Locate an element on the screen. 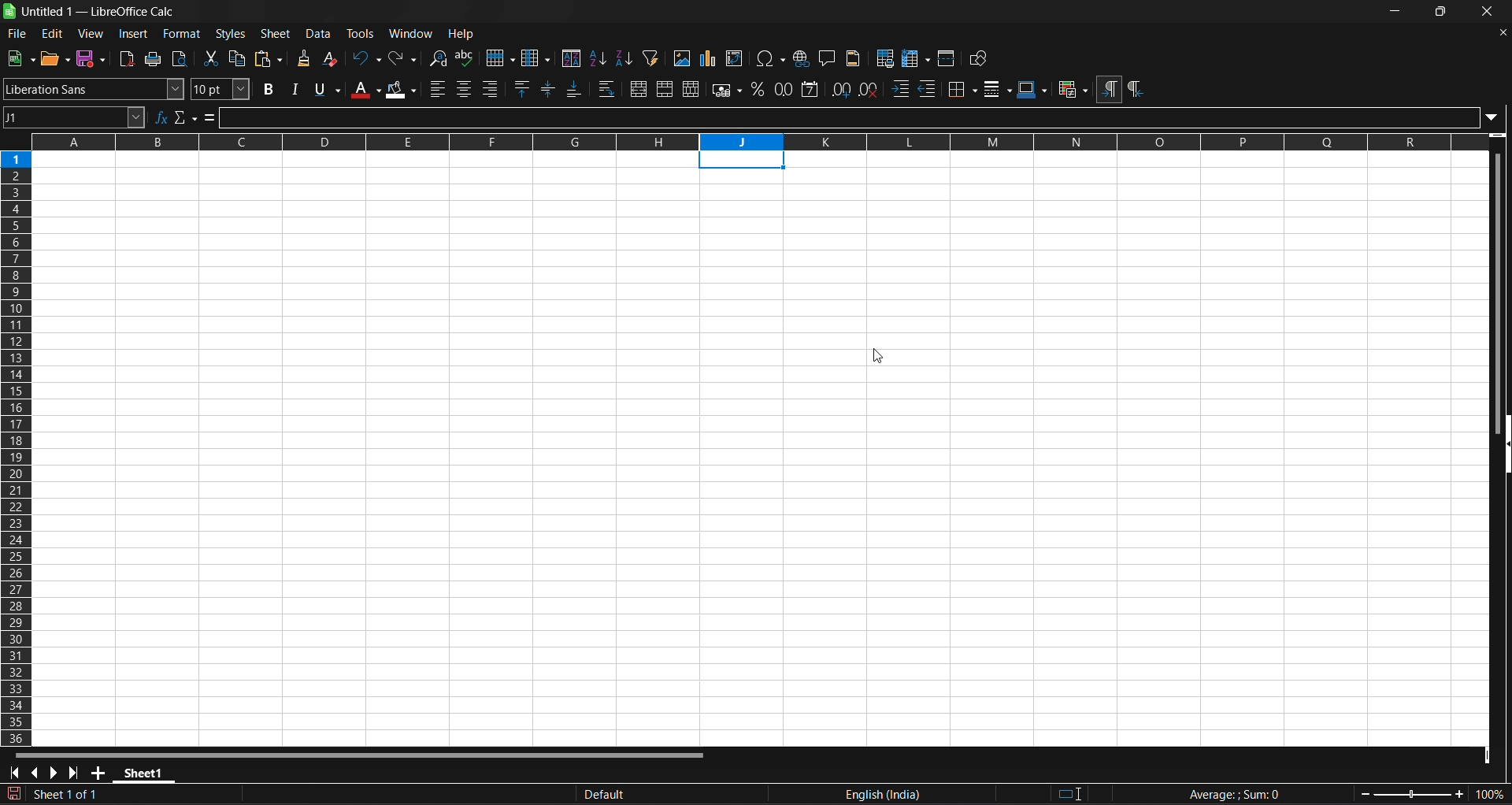 This screenshot has height=805, width=1512. help is located at coordinates (463, 35).